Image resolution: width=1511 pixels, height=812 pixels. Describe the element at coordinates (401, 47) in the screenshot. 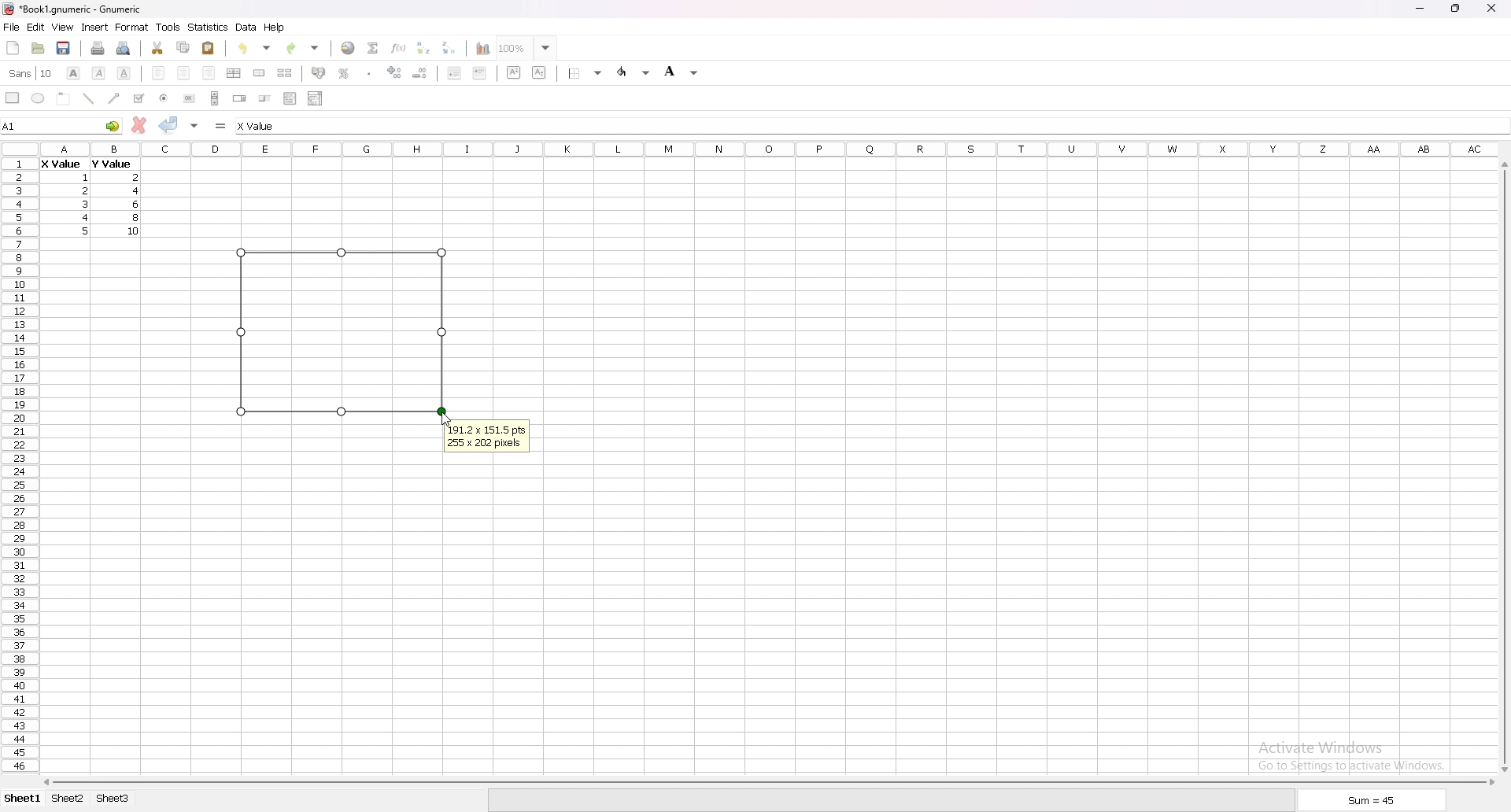

I see `function` at that location.